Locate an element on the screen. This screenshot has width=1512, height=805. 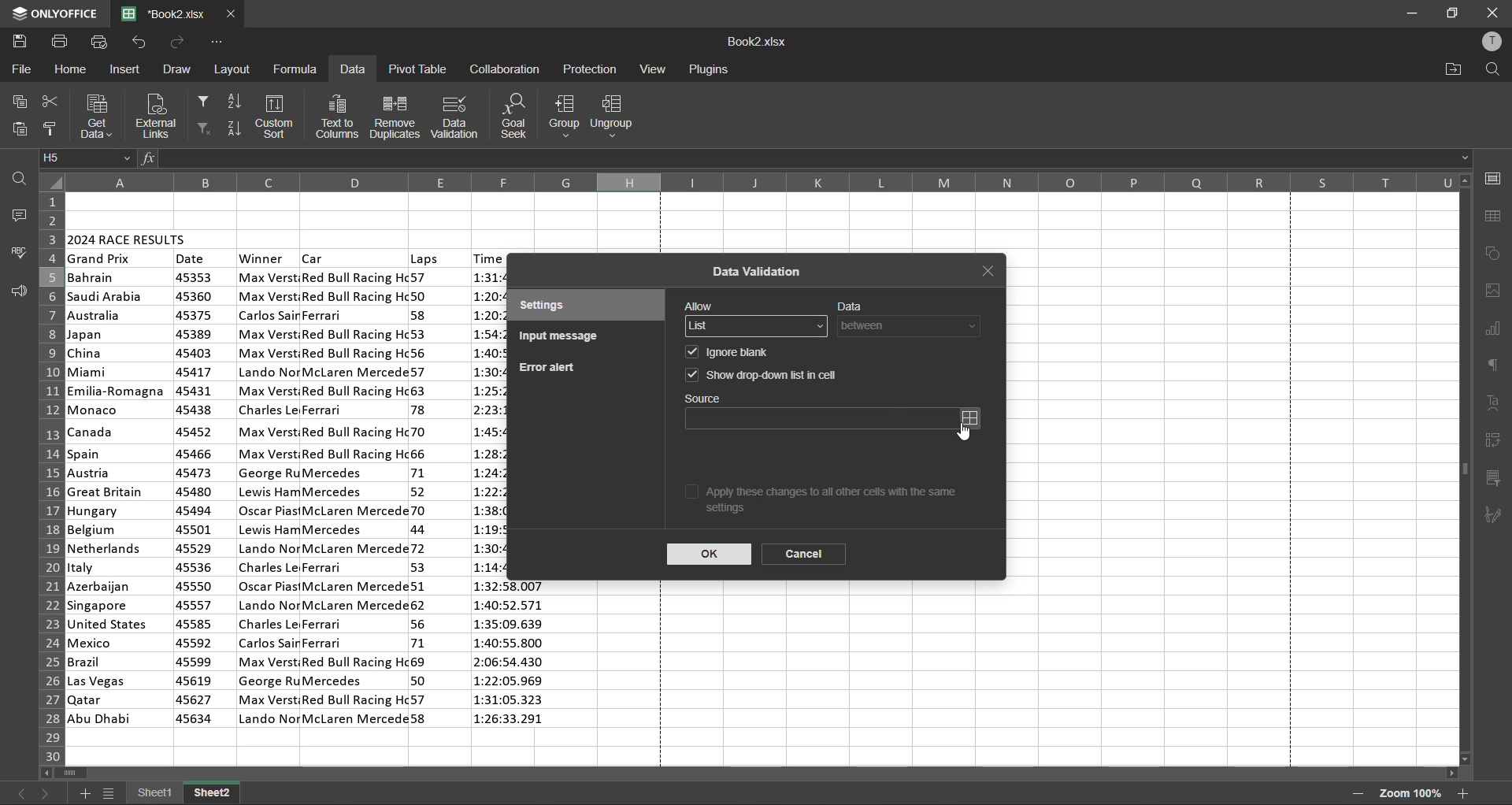
app name is located at coordinates (54, 13).